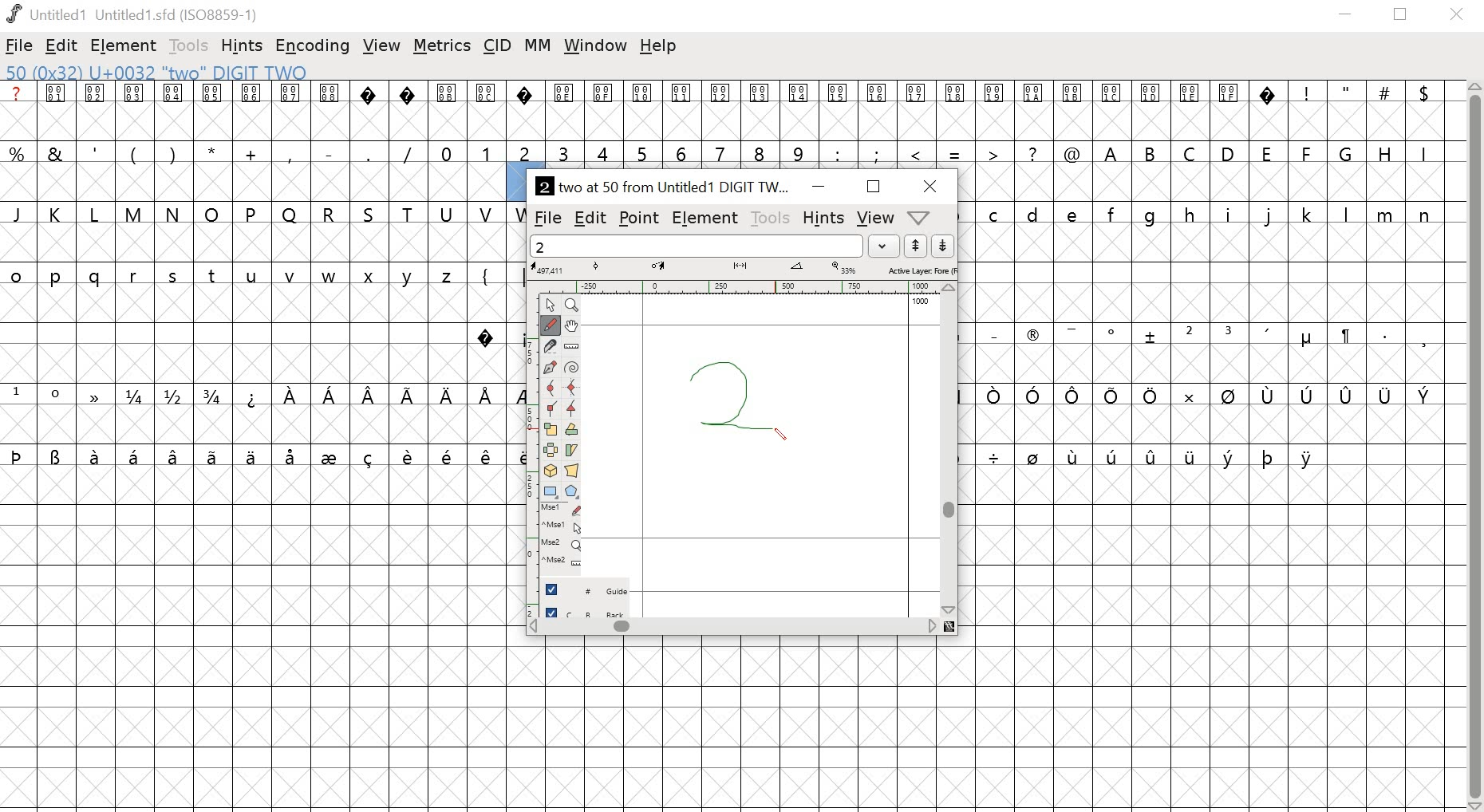  Describe the element at coordinates (572, 409) in the screenshot. I see `tangent` at that location.